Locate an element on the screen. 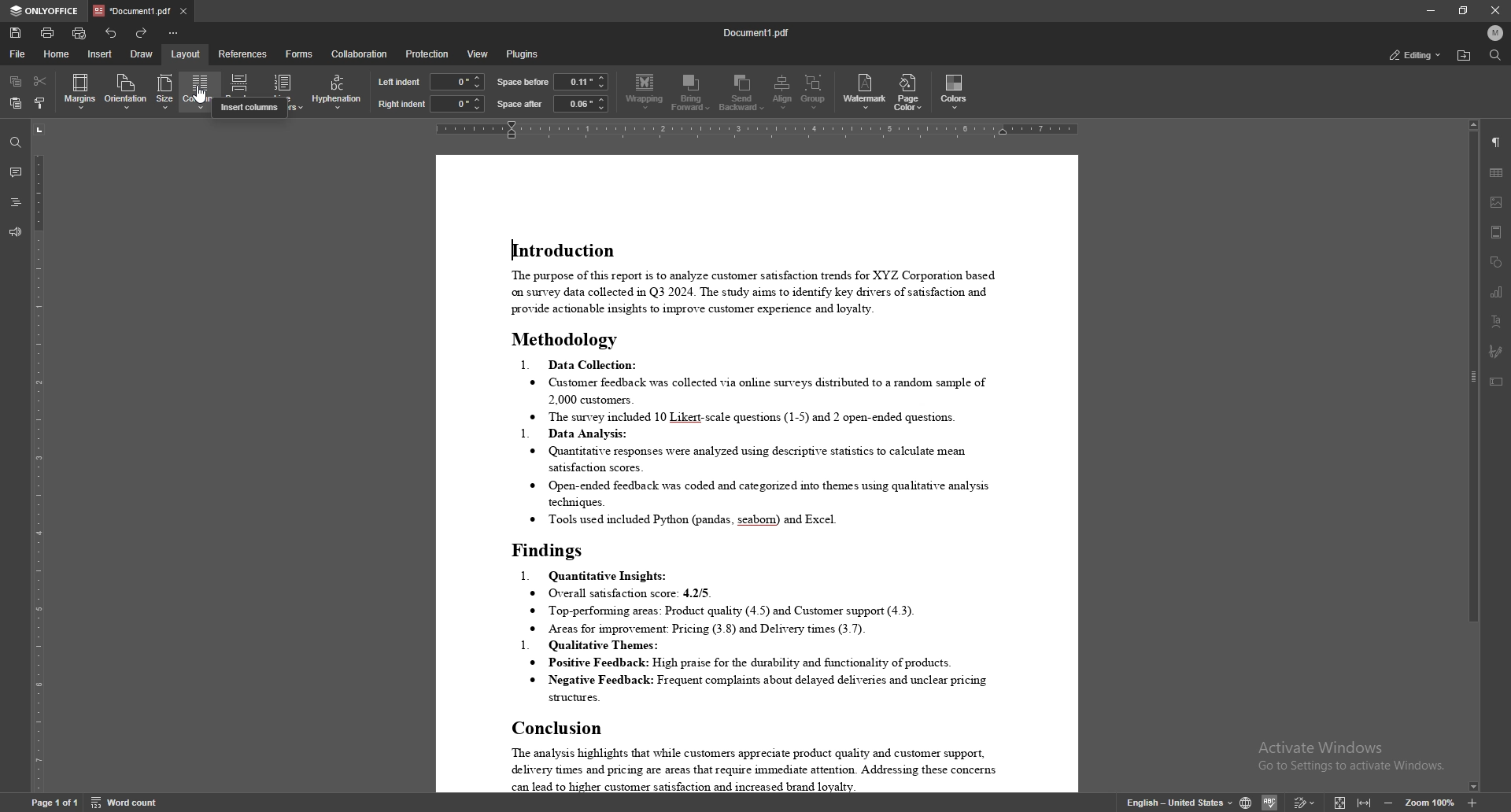  tab is located at coordinates (131, 11).